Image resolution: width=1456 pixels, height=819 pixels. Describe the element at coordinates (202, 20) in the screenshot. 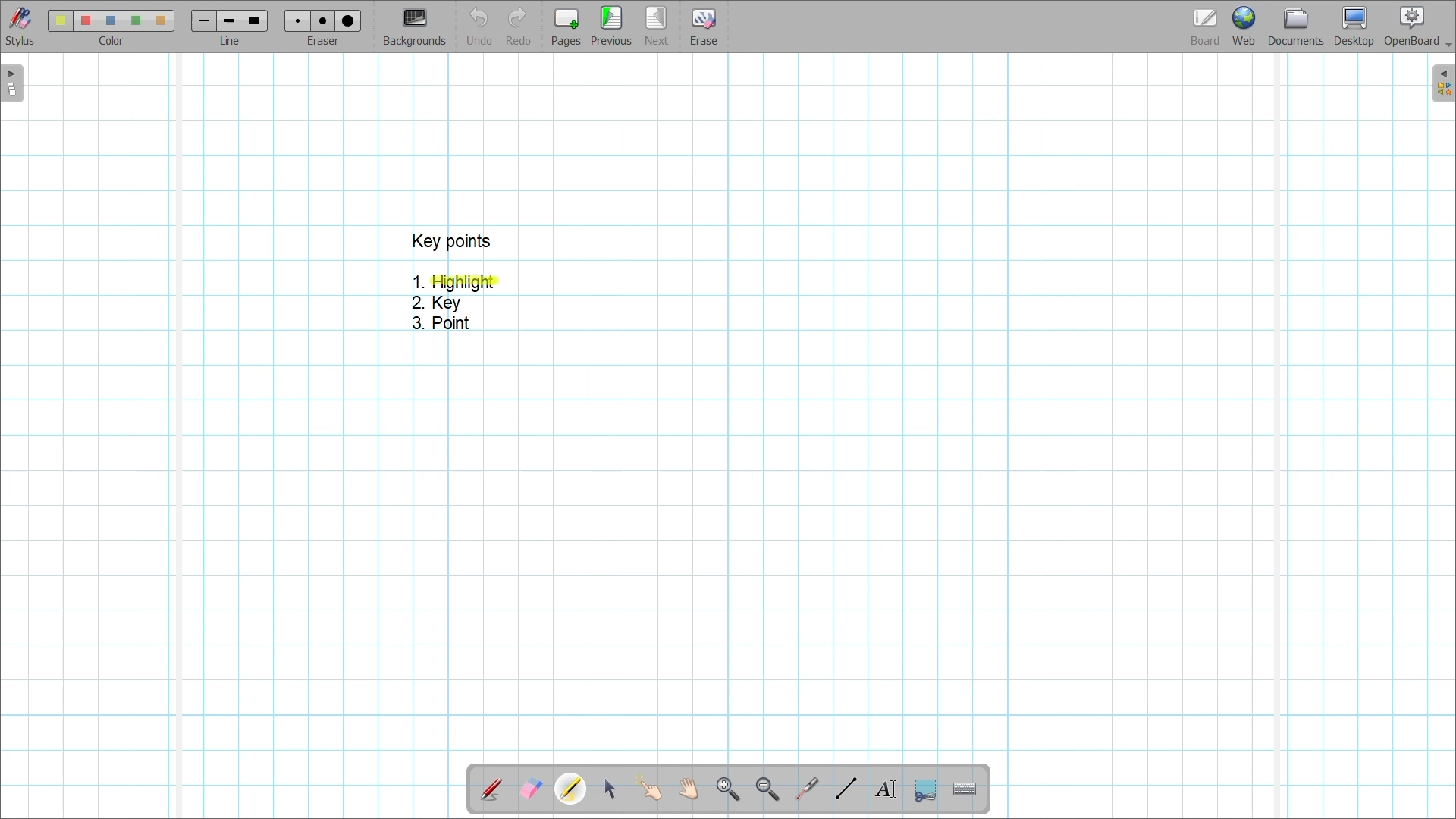

I see `Line 1` at that location.